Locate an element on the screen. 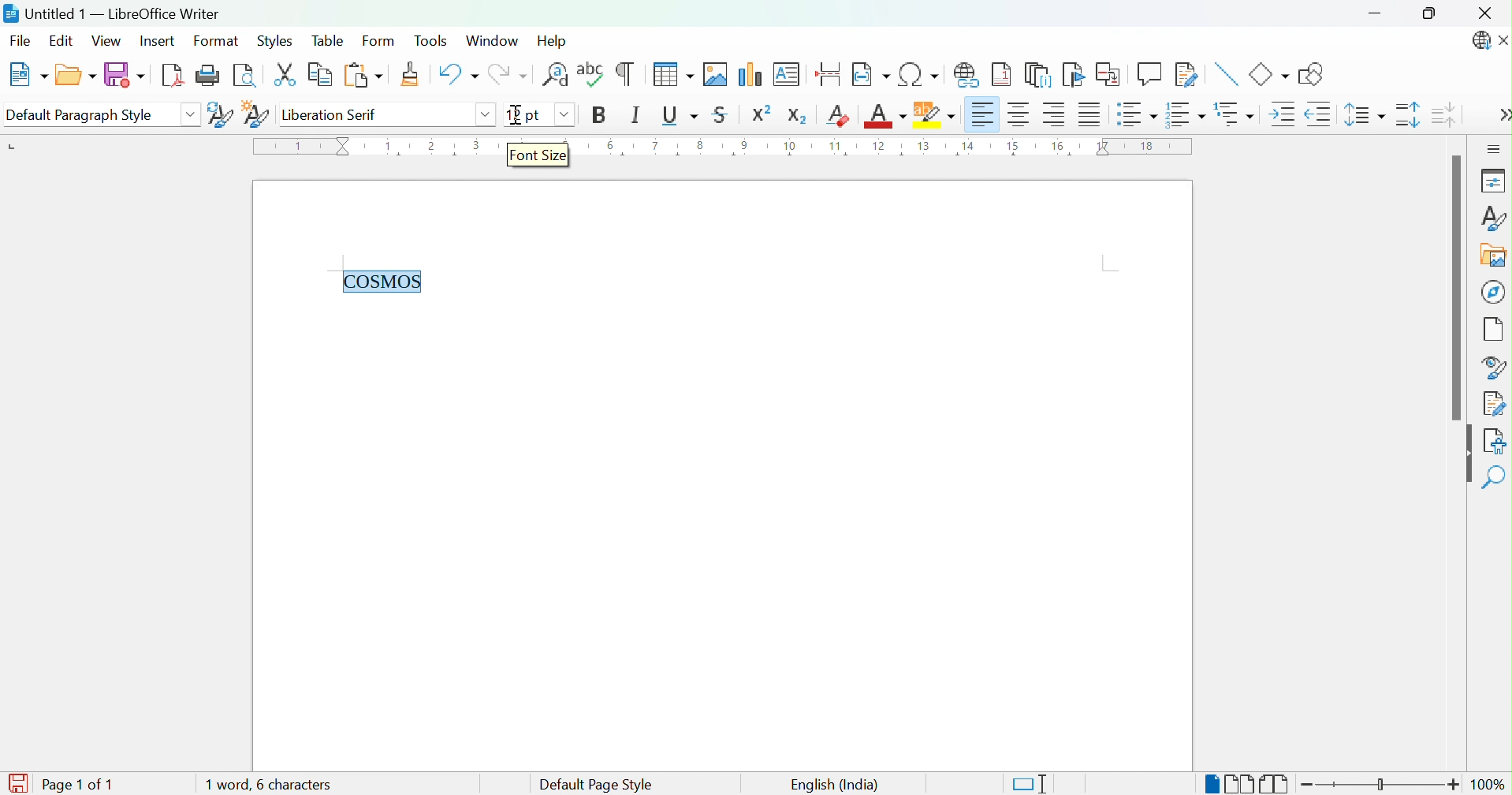 Image resolution: width=1512 pixels, height=795 pixels. Insert Field is located at coordinates (869, 73).